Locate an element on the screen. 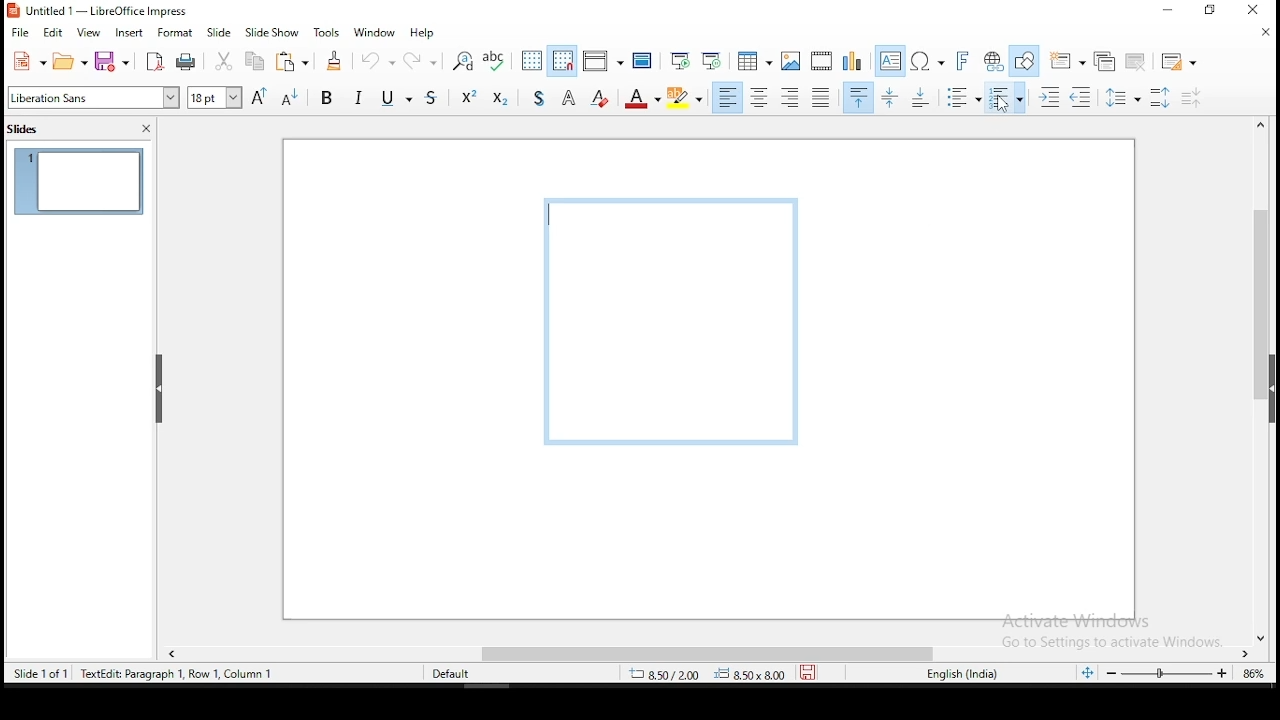 This screenshot has width=1280, height=720. clear direct formatting is located at coordinates (599, 99).